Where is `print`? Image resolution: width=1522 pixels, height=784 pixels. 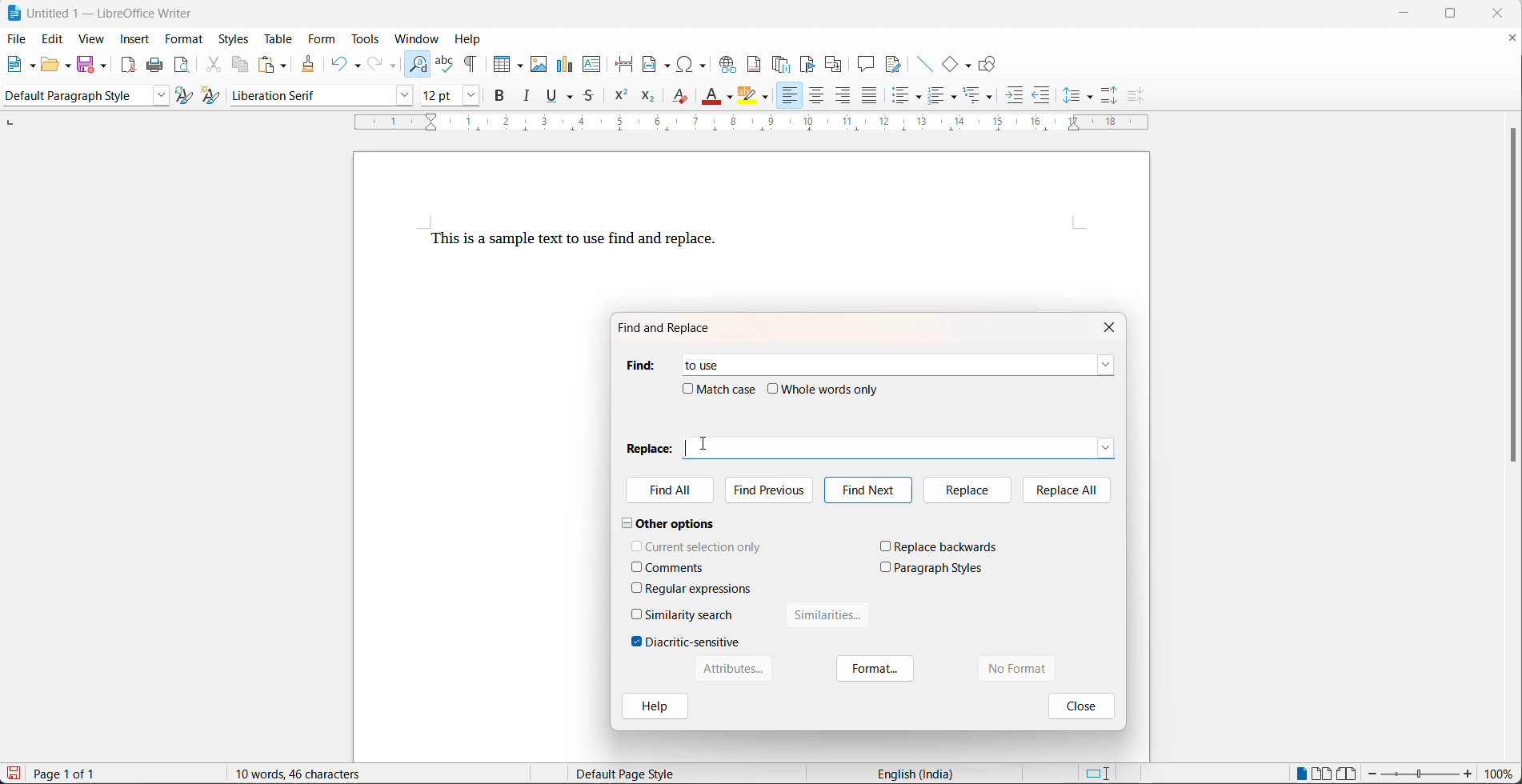 print is located at coordinates (158, 66).